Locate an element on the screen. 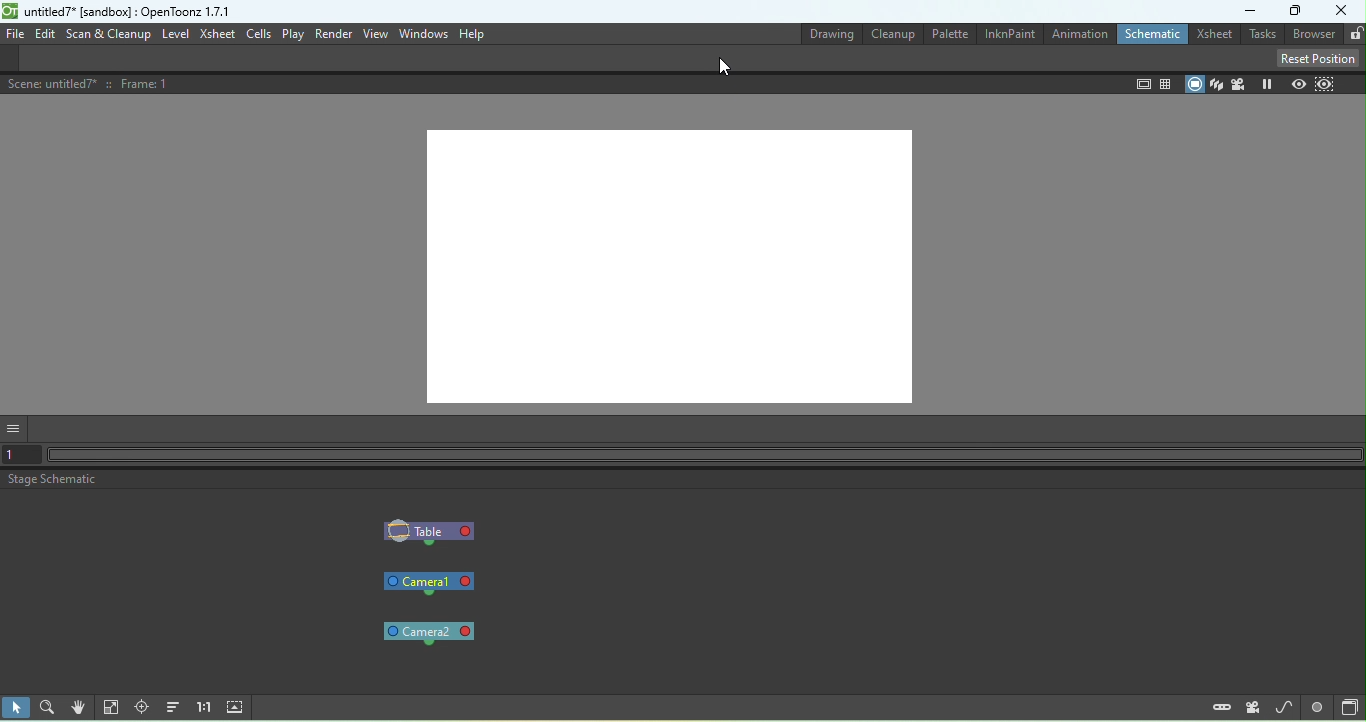  Scene details is located at coordinates (94, 85).